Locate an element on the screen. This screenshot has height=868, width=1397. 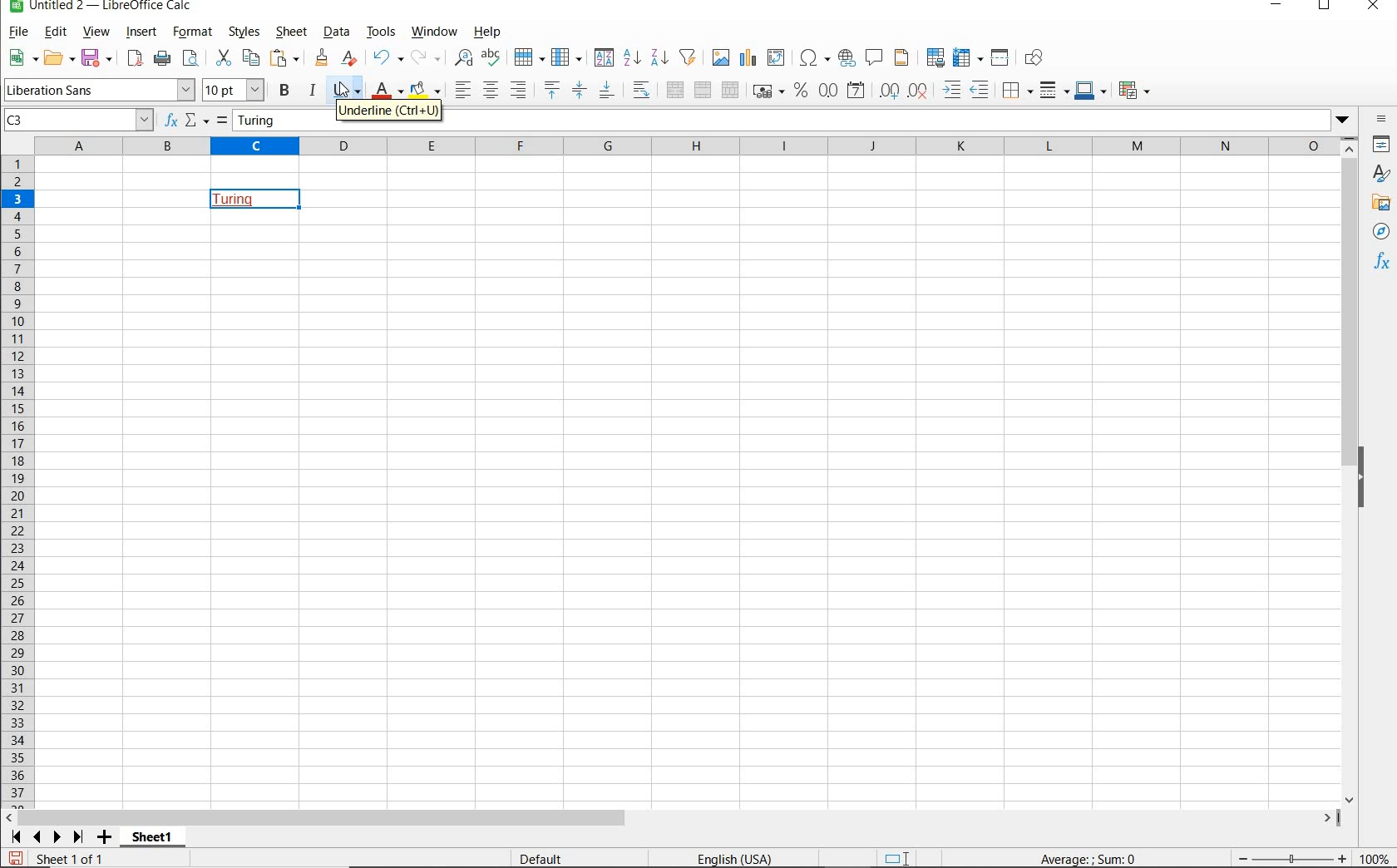
ROWS is located at coordinates (17, 484).